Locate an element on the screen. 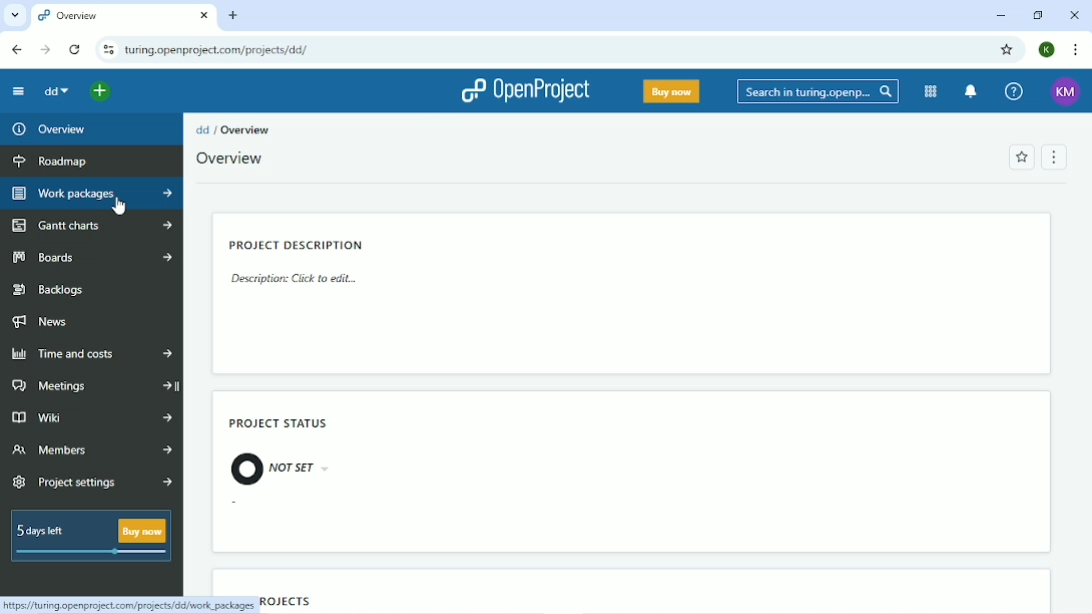  Overview is located at coordinates (245, 131).